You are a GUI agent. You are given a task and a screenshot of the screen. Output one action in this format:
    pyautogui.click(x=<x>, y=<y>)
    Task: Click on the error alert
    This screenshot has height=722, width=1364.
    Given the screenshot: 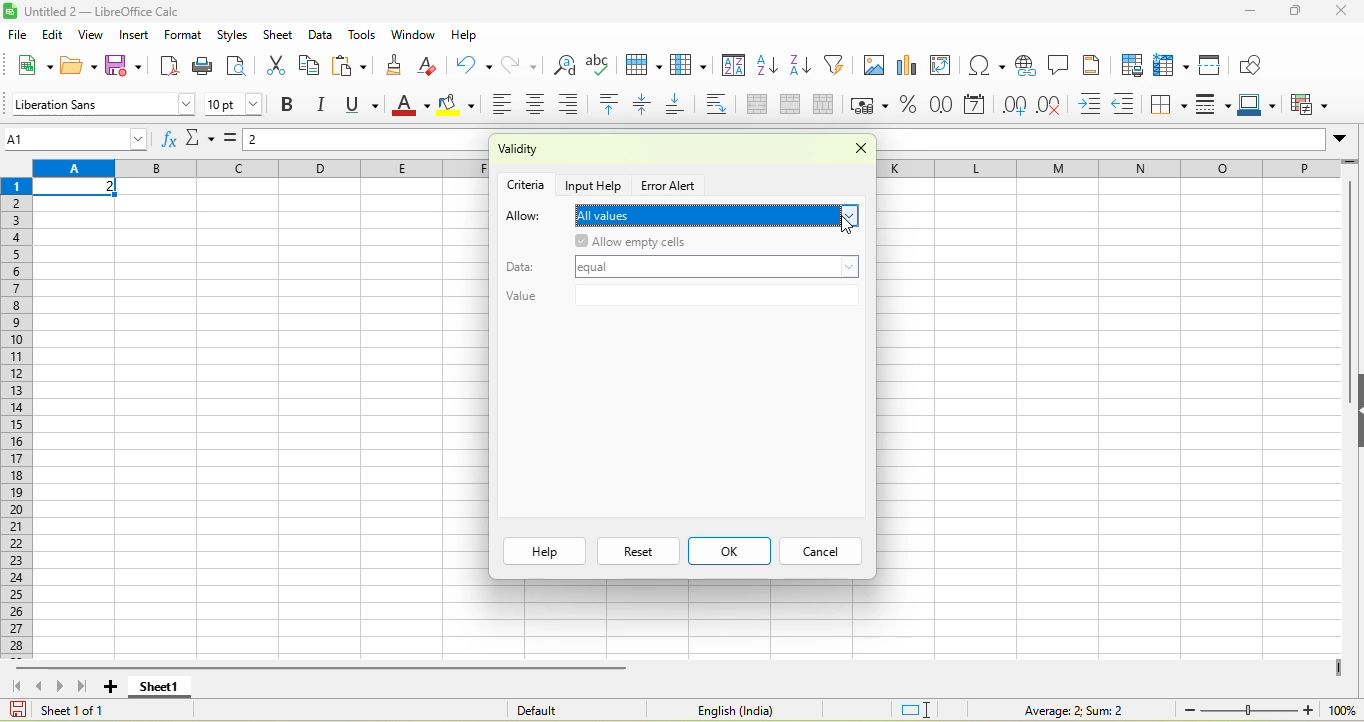 What is the action you would take?
    pyautogui.click(x=671, y=186)
    